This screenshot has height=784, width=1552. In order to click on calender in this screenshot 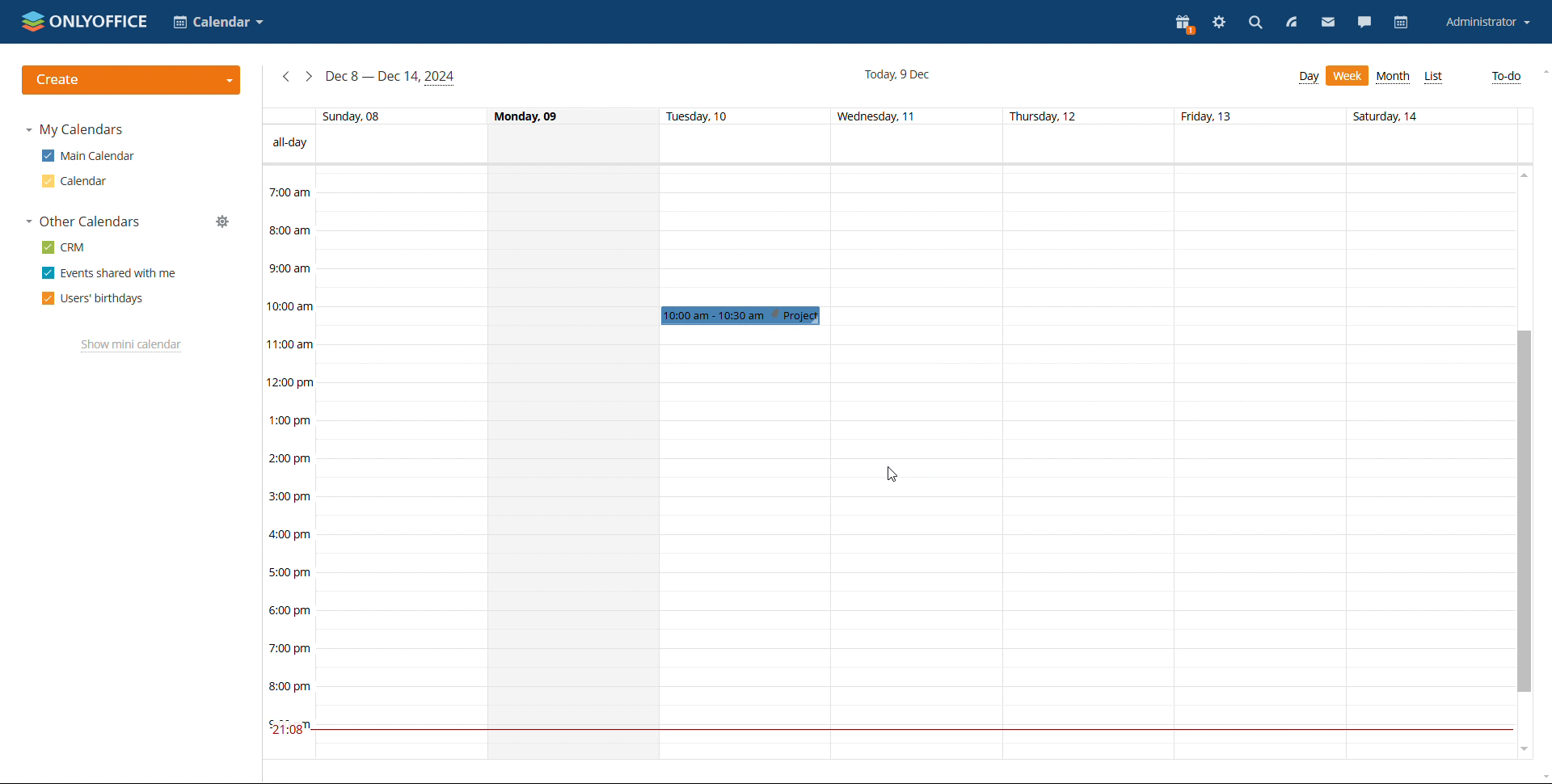, I will do `click(218, 23)`.